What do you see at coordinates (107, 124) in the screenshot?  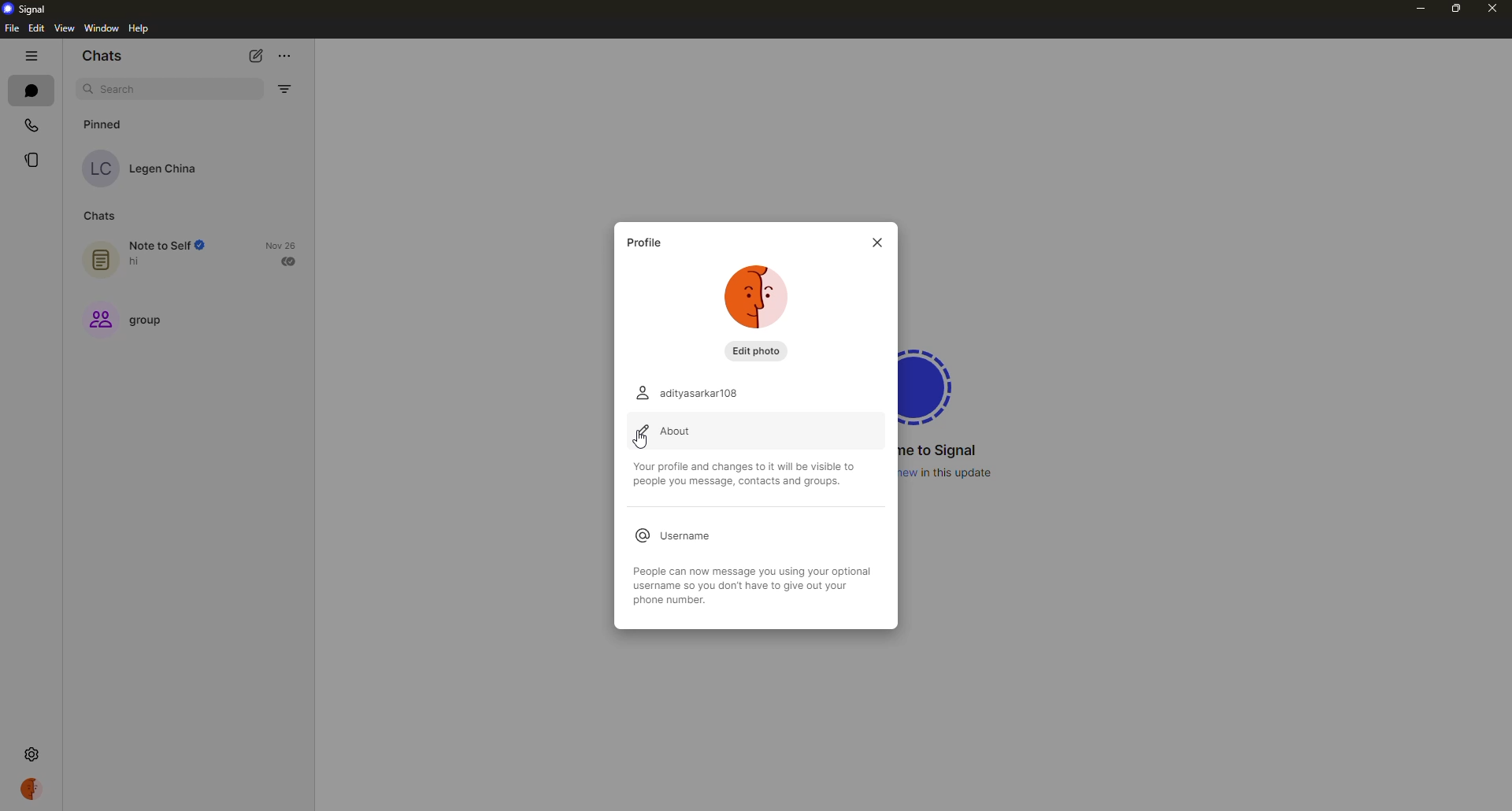 I see `pinned` at bounding box center [107, 124].